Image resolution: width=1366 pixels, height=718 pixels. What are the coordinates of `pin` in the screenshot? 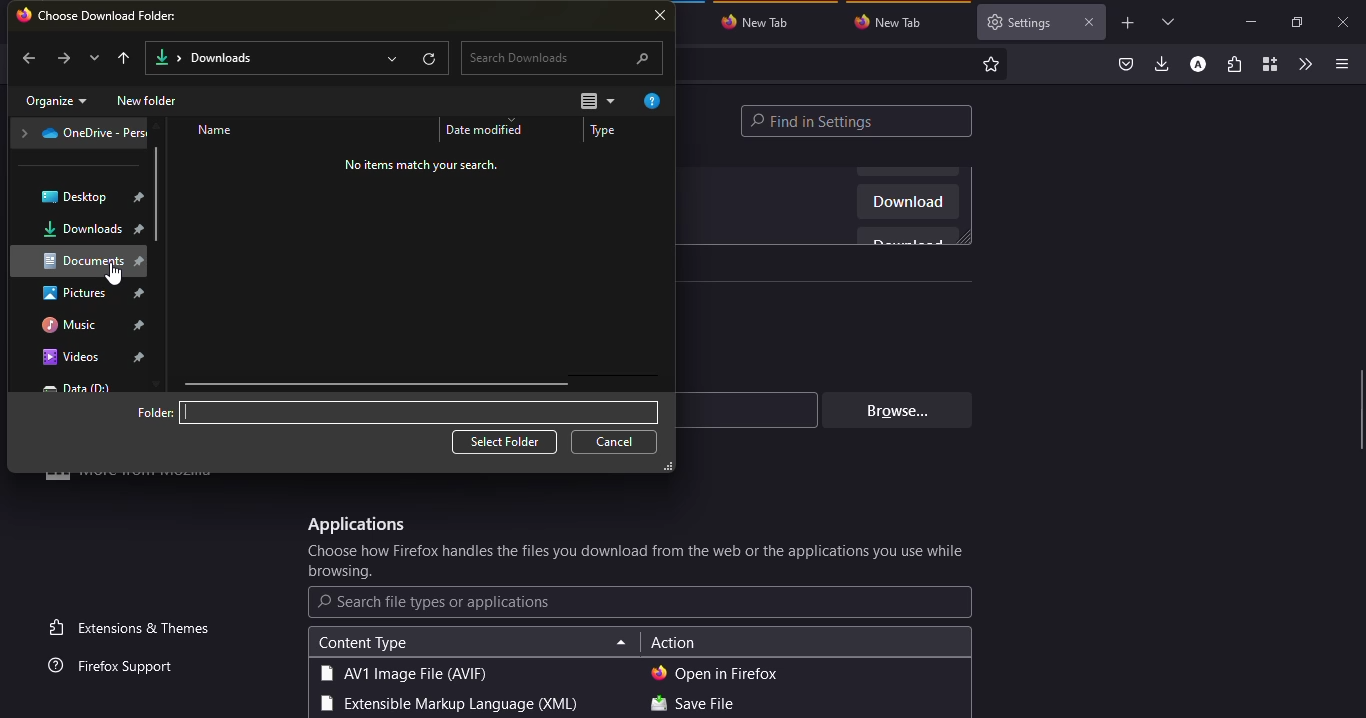 It's located at (140, 357).